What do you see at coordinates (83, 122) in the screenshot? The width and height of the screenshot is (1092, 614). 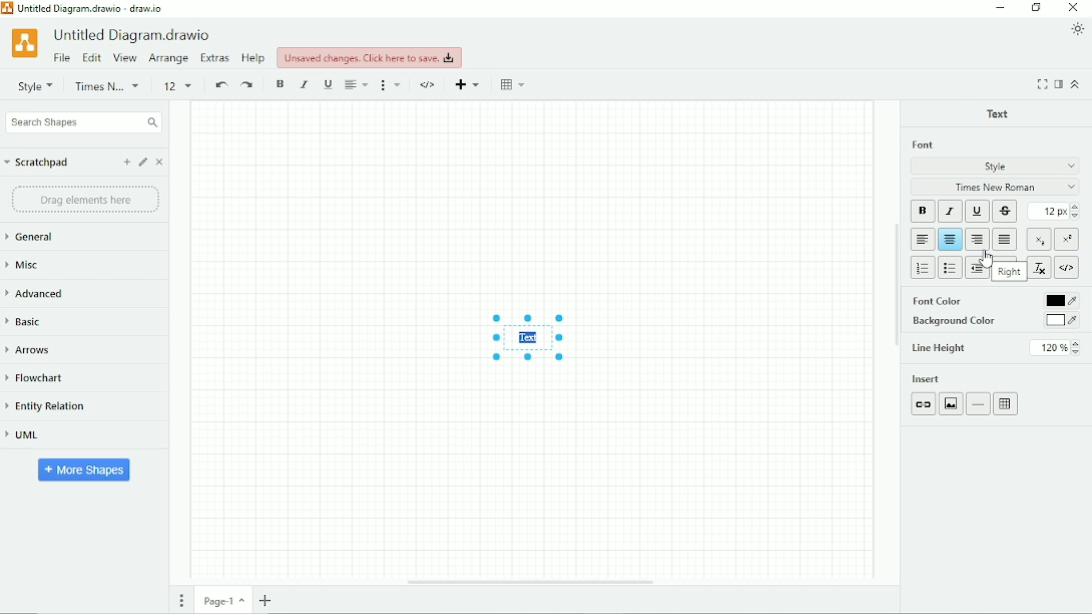 I see `Search Shapes` at bounding box center [83, 122].